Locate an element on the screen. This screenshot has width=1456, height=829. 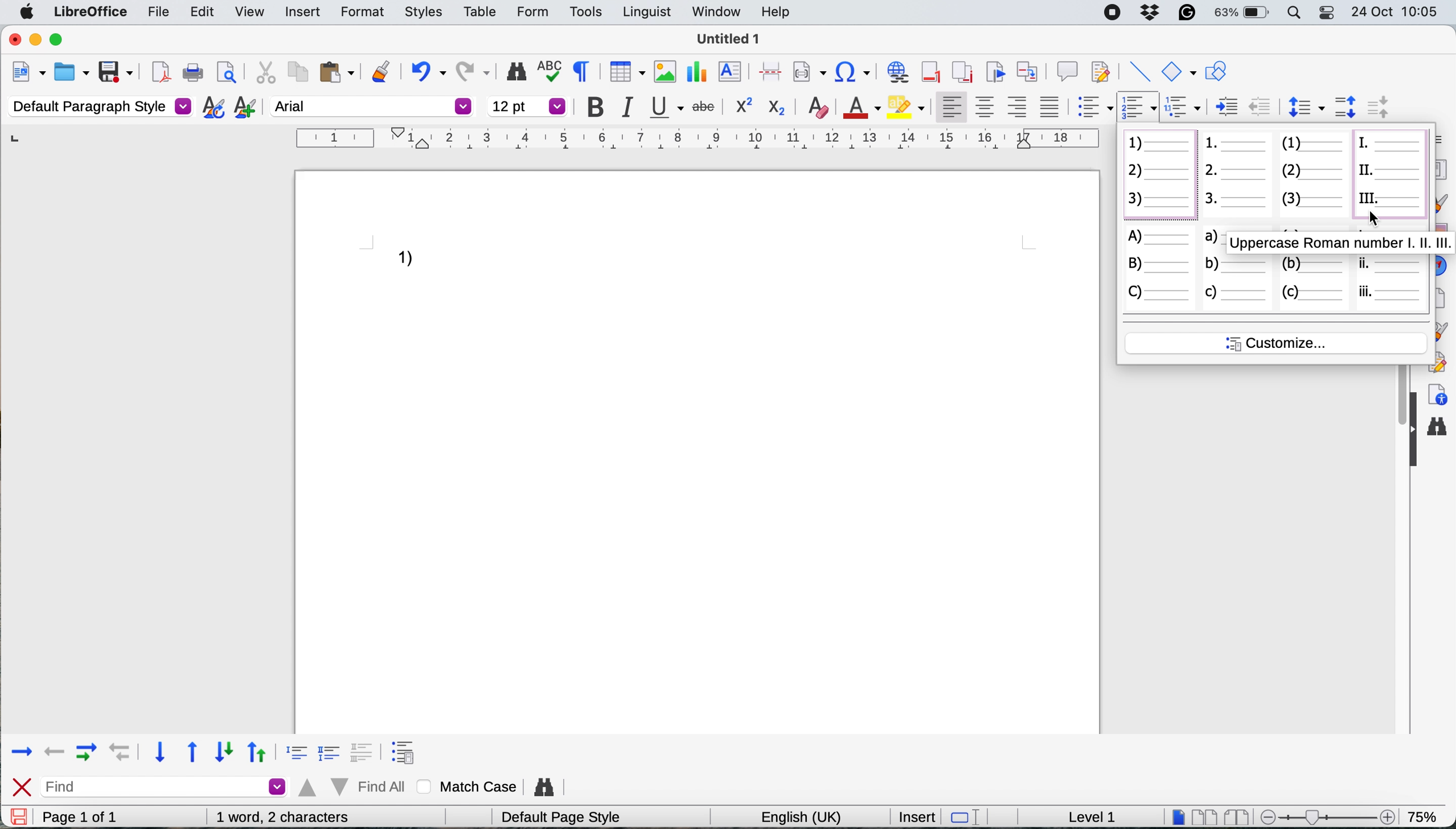
close is located at coordinates (13, 40).